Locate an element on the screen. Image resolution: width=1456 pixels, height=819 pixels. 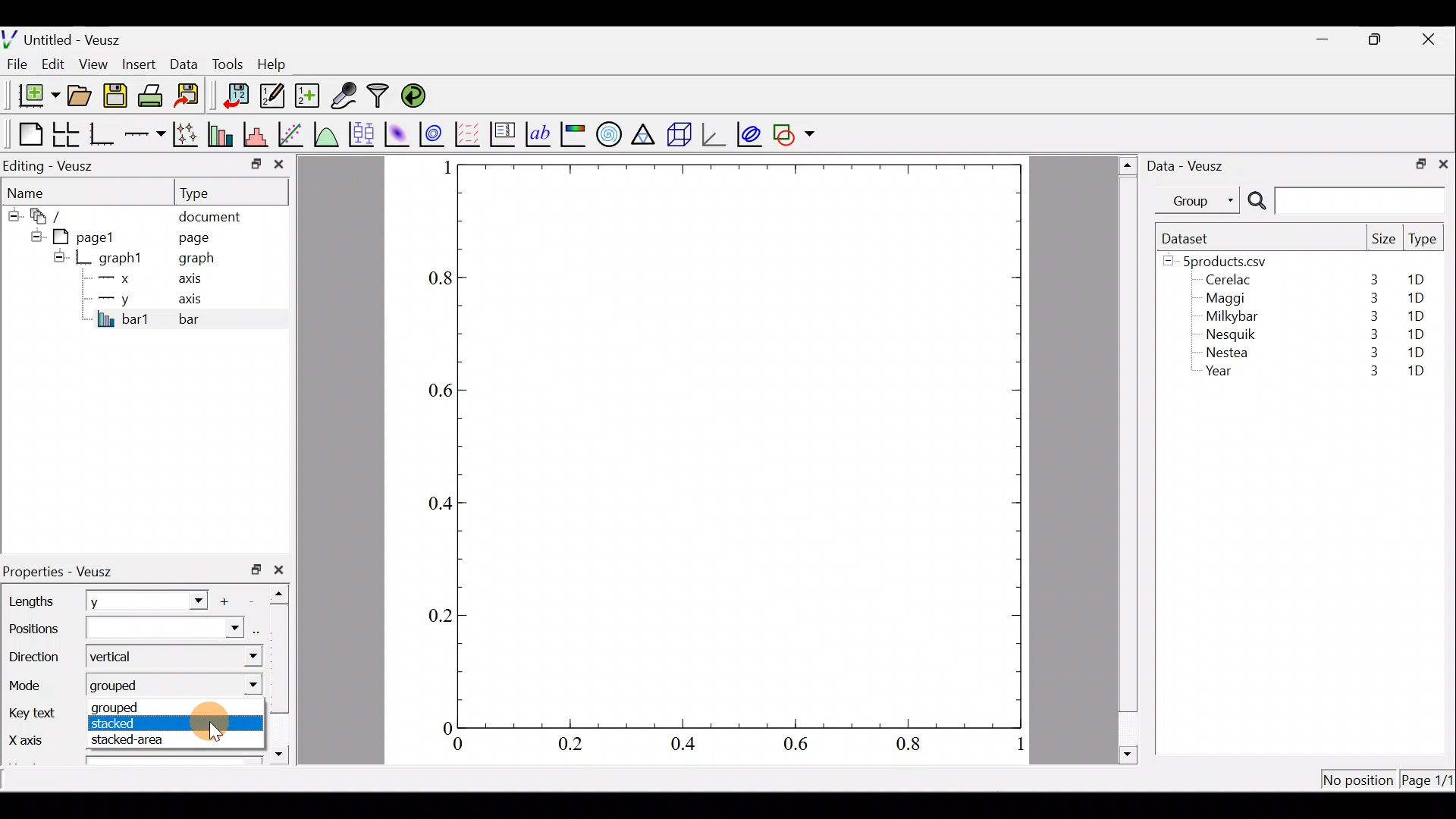
1D is located at coordinates (1416, 352).